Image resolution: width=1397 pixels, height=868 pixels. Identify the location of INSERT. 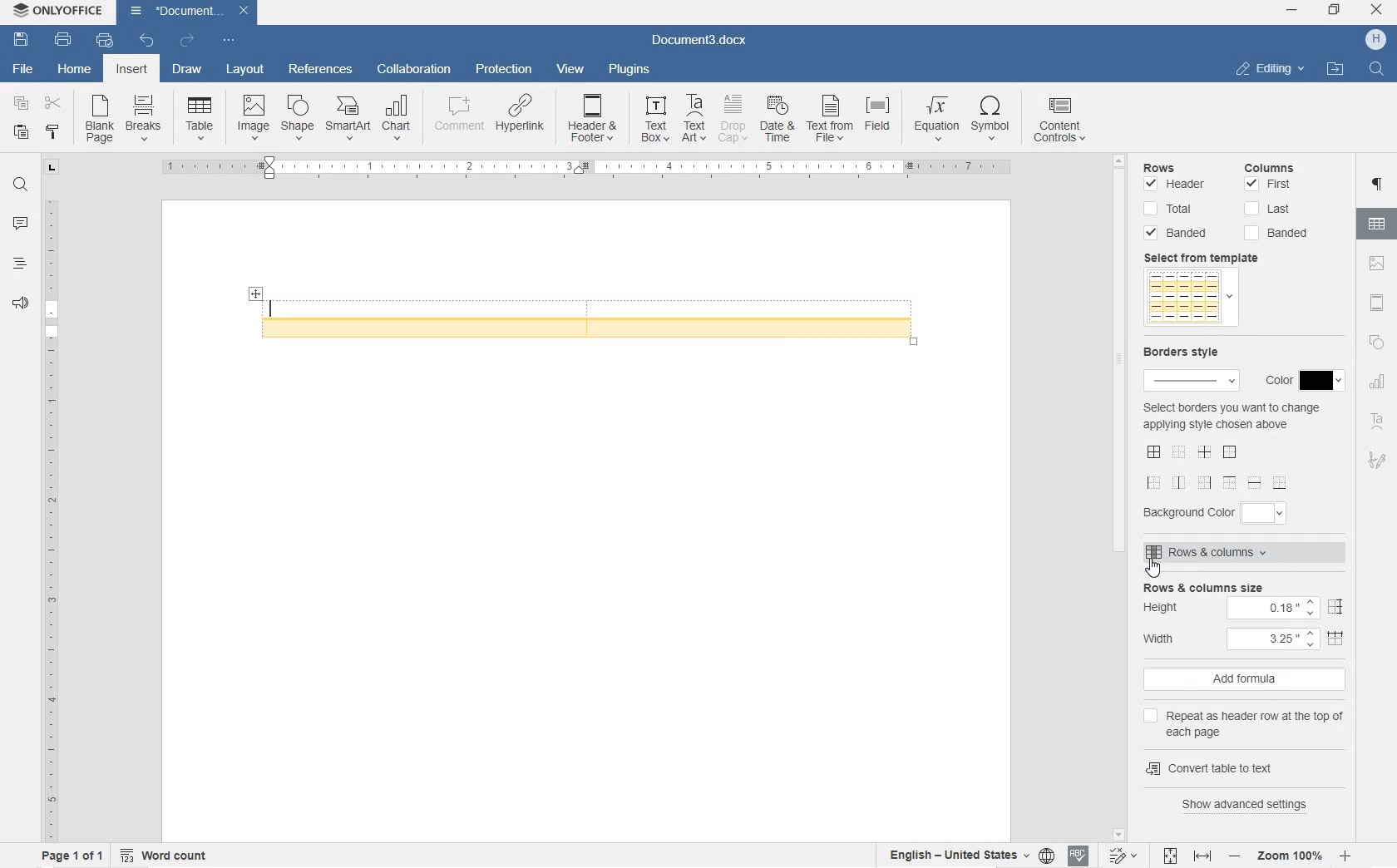
(134, 72).